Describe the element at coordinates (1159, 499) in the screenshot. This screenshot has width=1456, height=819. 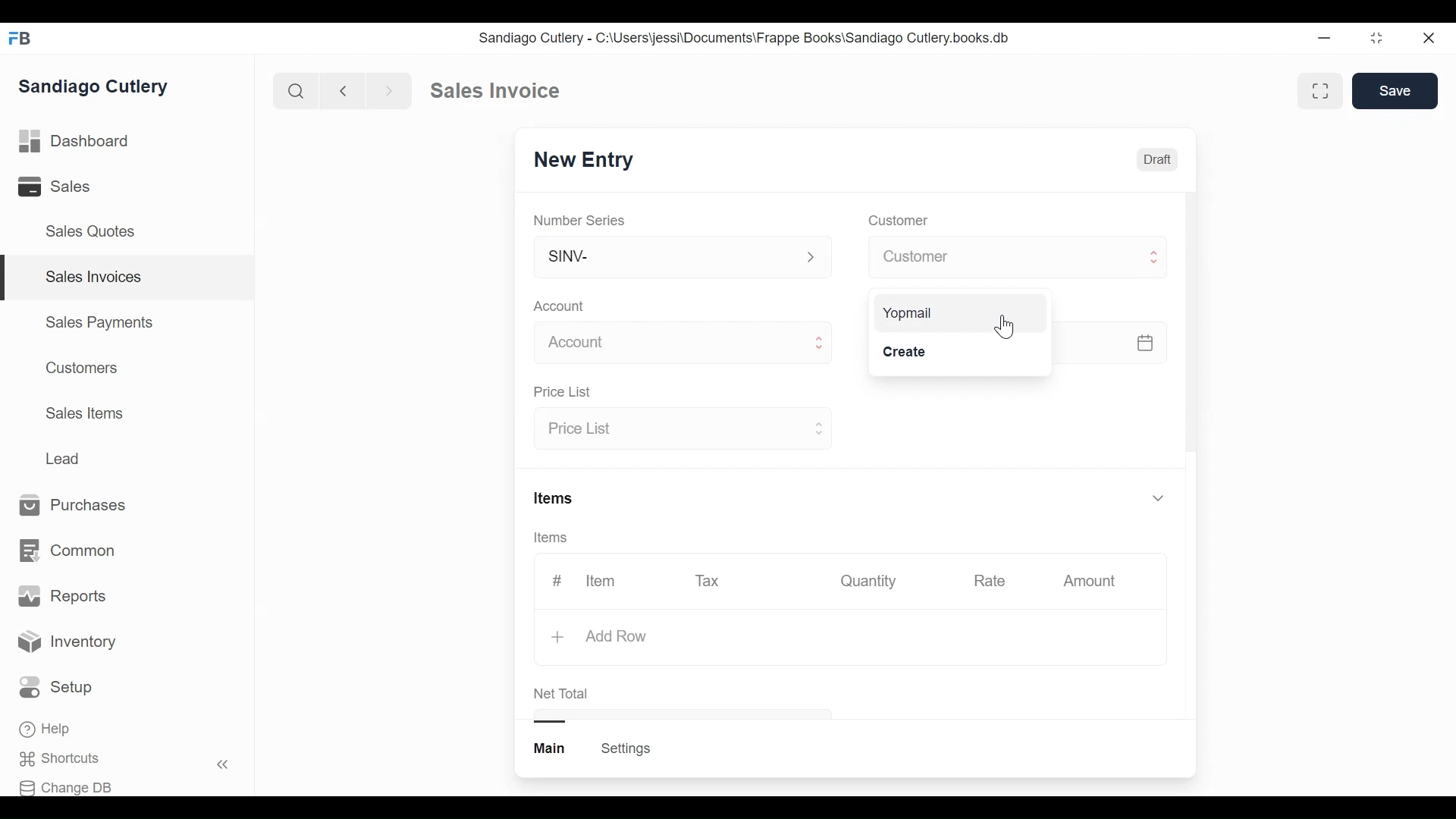
I see `v` at that location.